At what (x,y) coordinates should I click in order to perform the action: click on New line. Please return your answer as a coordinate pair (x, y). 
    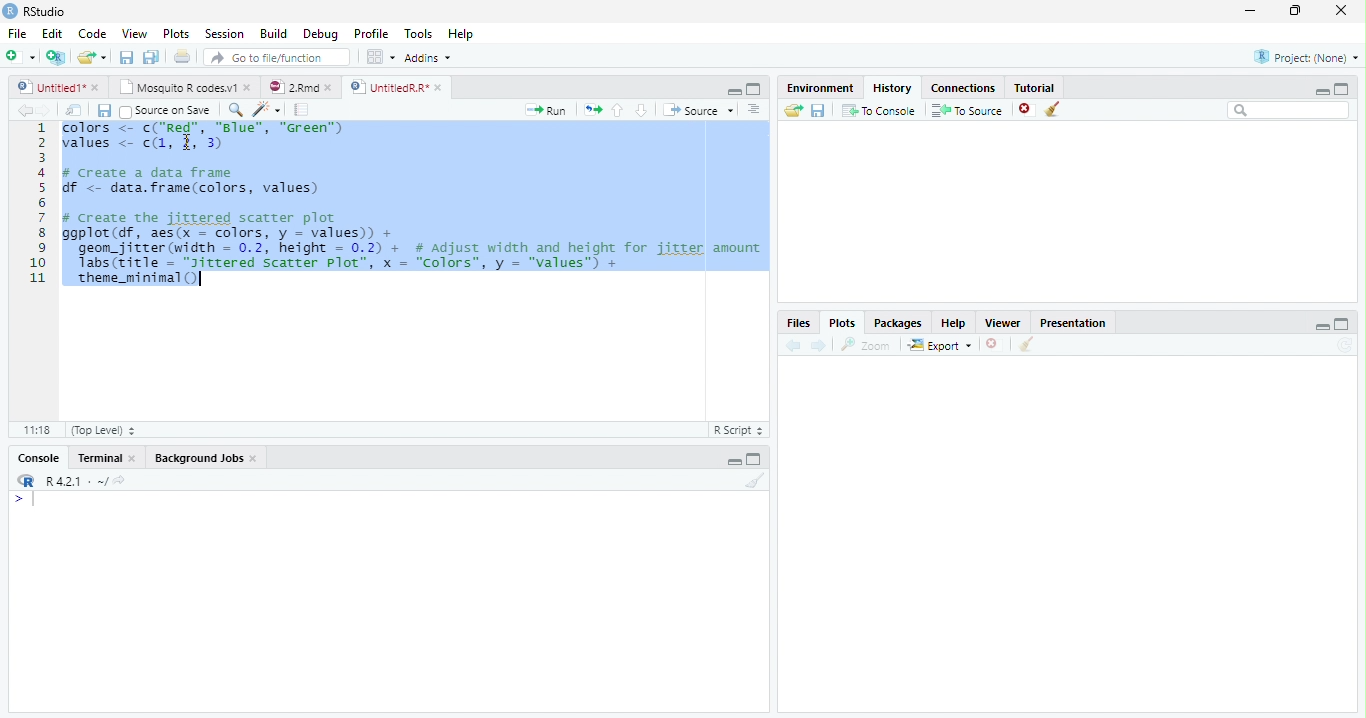
    Looking at the image, I should click on (24, 499).